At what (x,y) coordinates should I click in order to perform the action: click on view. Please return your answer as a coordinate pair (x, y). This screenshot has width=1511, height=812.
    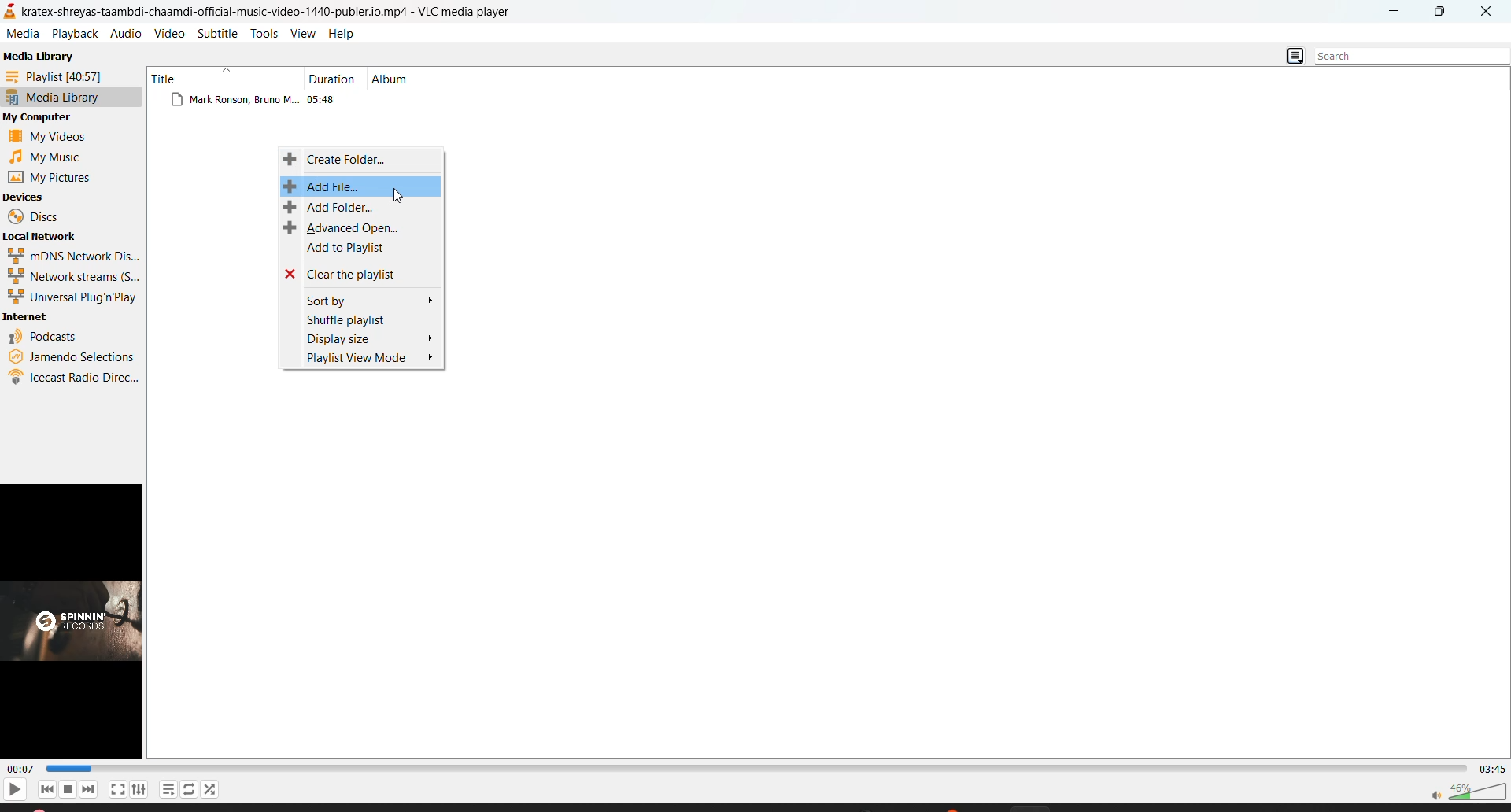
    Looking at the image, I should click on (305, 35).